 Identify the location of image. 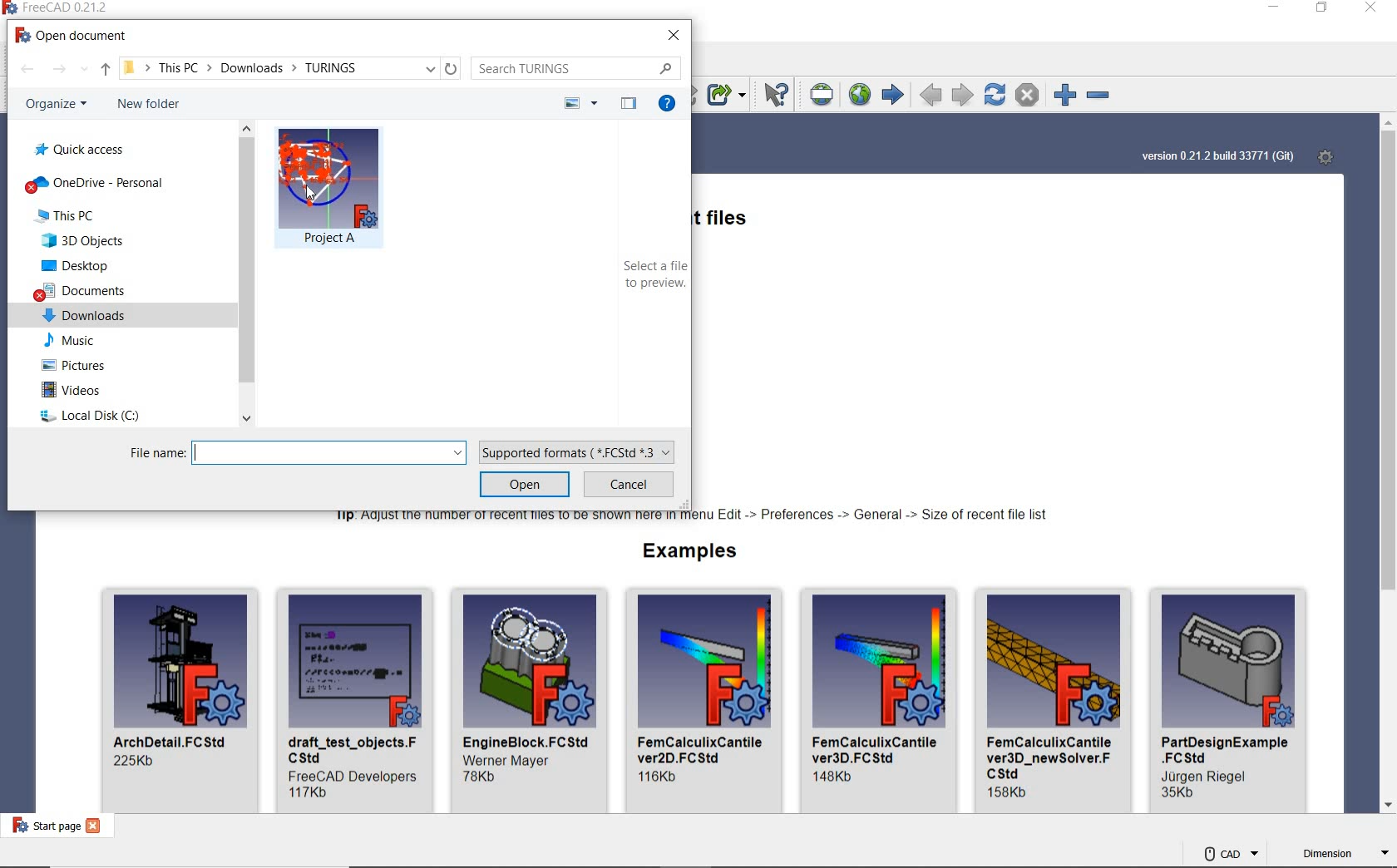
(880, 659).